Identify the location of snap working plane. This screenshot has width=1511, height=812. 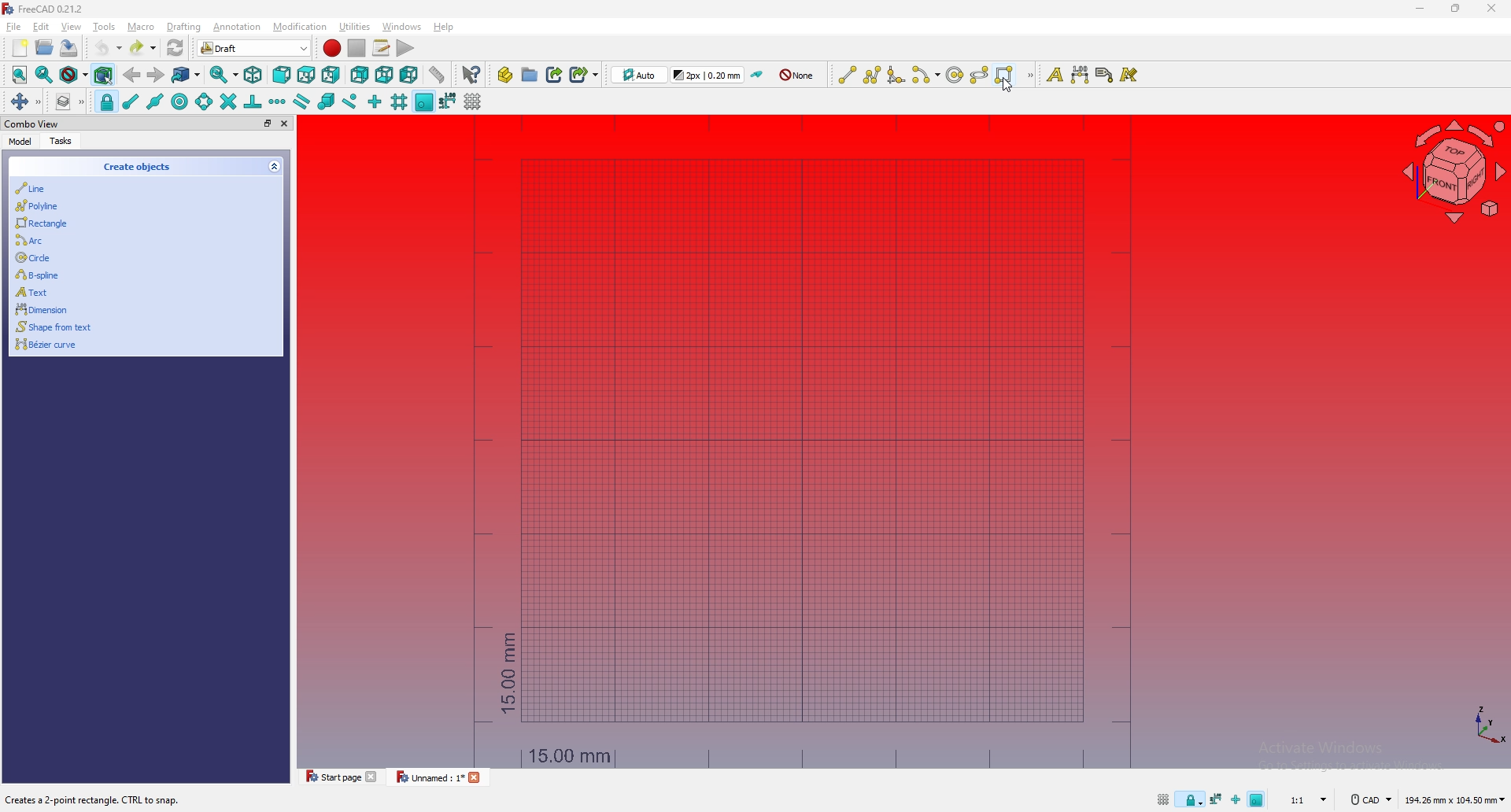
(1258, 798).